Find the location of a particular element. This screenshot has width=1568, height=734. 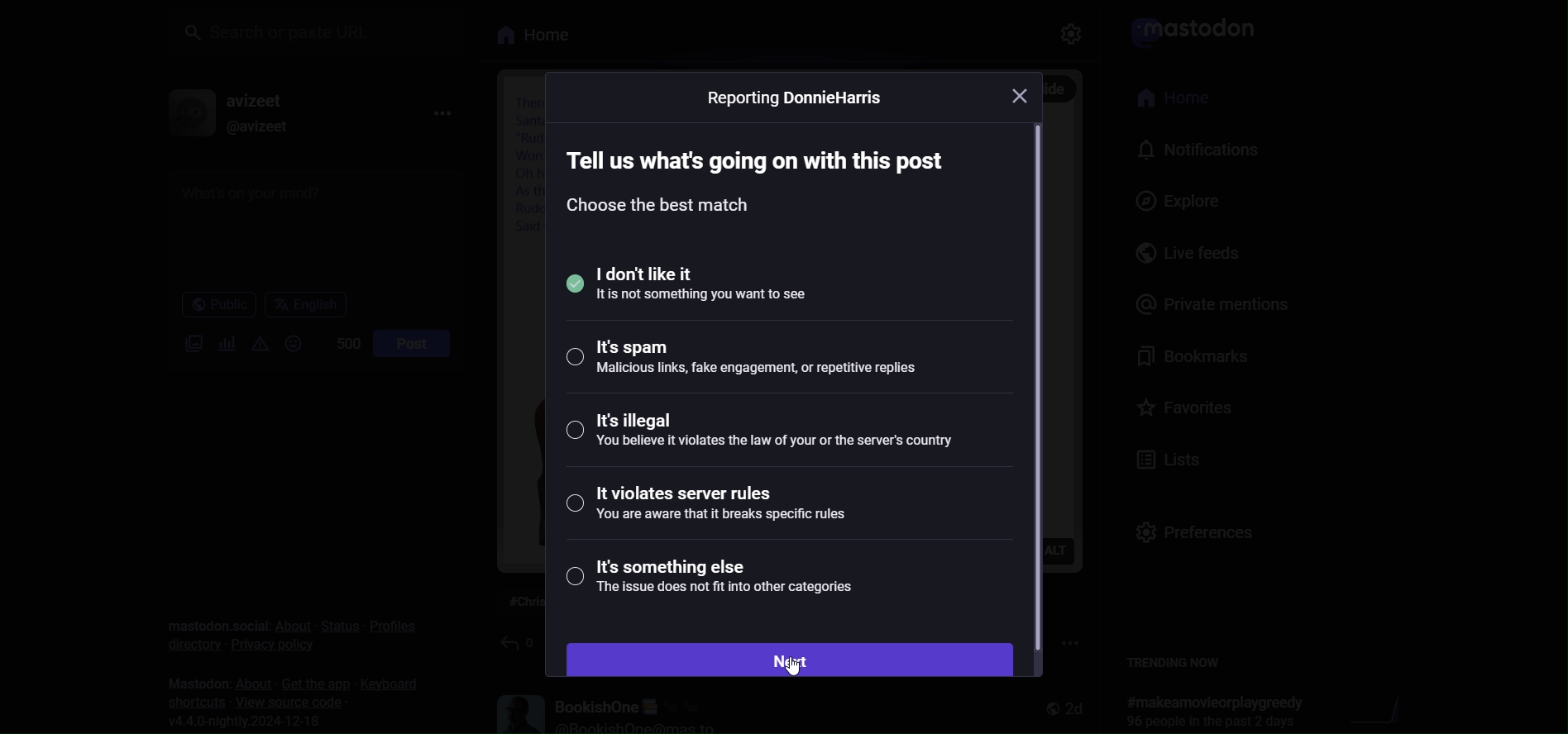

keyboard is located at coordinates (391, 685).